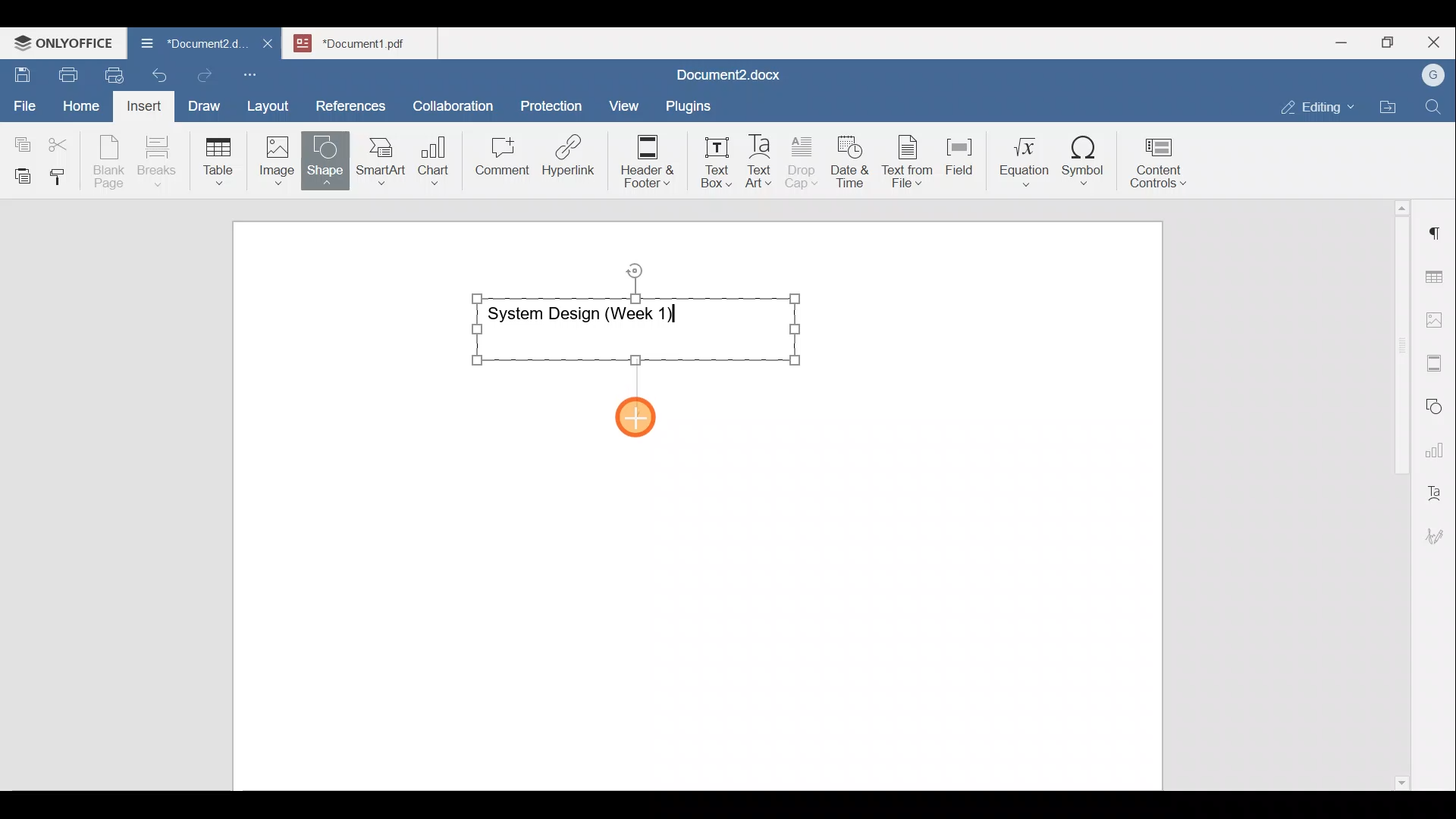 The height and width of the screenshot is (819, 1456). What do you see at coordinates (202, 102) in the screenshot?
I see `Draw` at bounding box center [202, 102].